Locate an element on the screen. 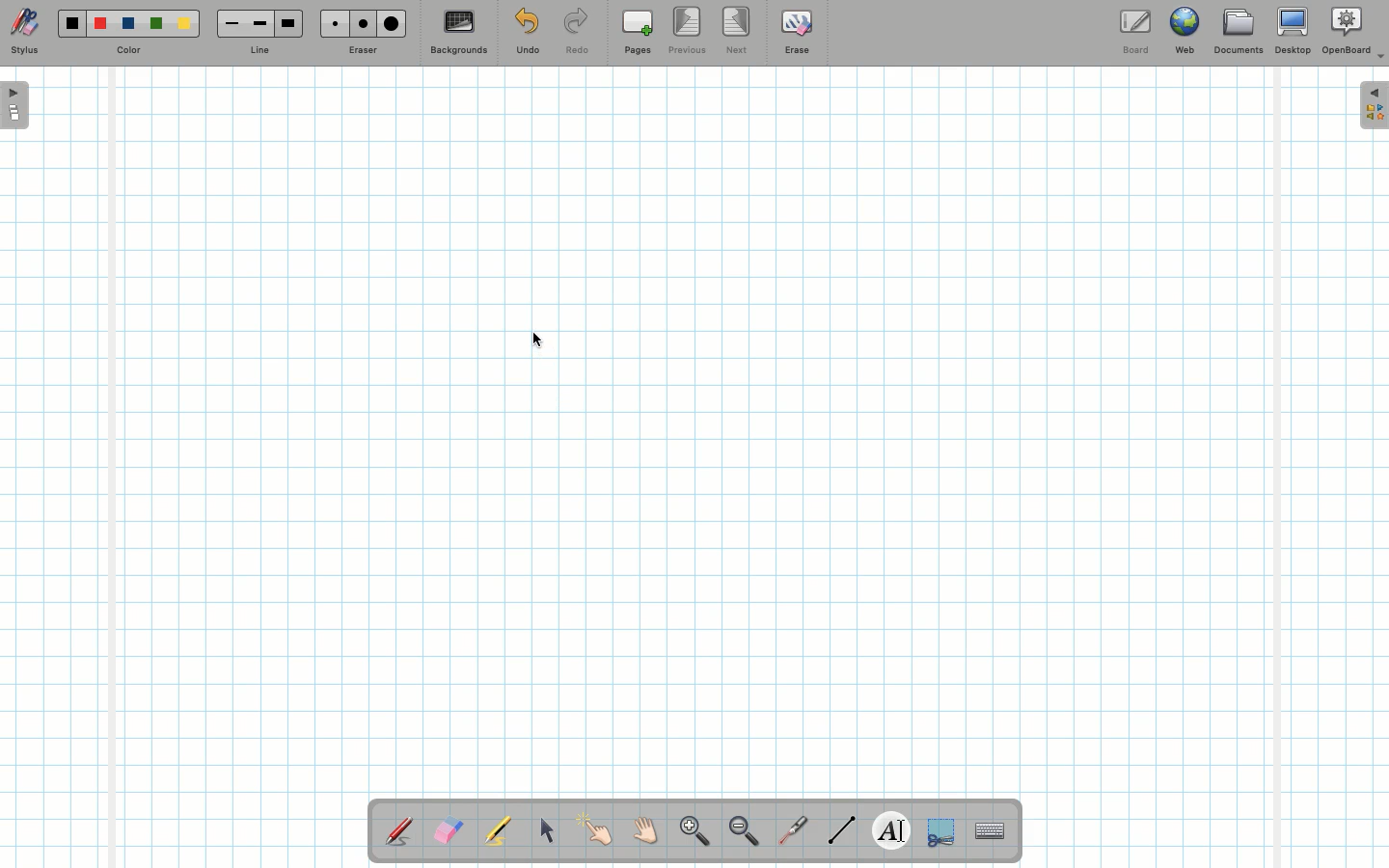 The height and width of the screenshot is (868, 1389). Board is located at coordinates (1134, 32).